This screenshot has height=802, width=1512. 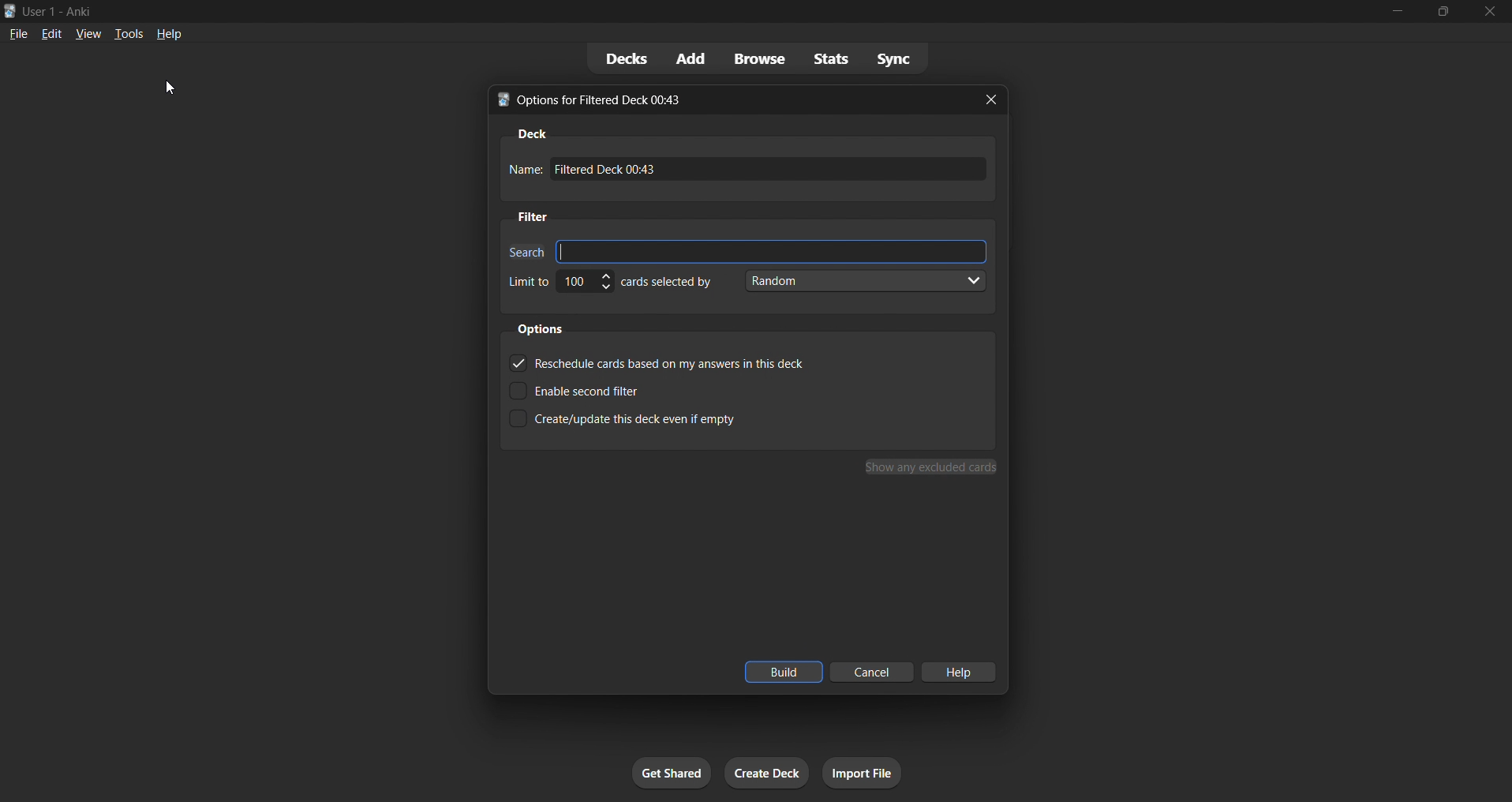 What do you see at coordinates (862, 773) in the screenshot?
I see `import file` at bounding box center [862, 773].